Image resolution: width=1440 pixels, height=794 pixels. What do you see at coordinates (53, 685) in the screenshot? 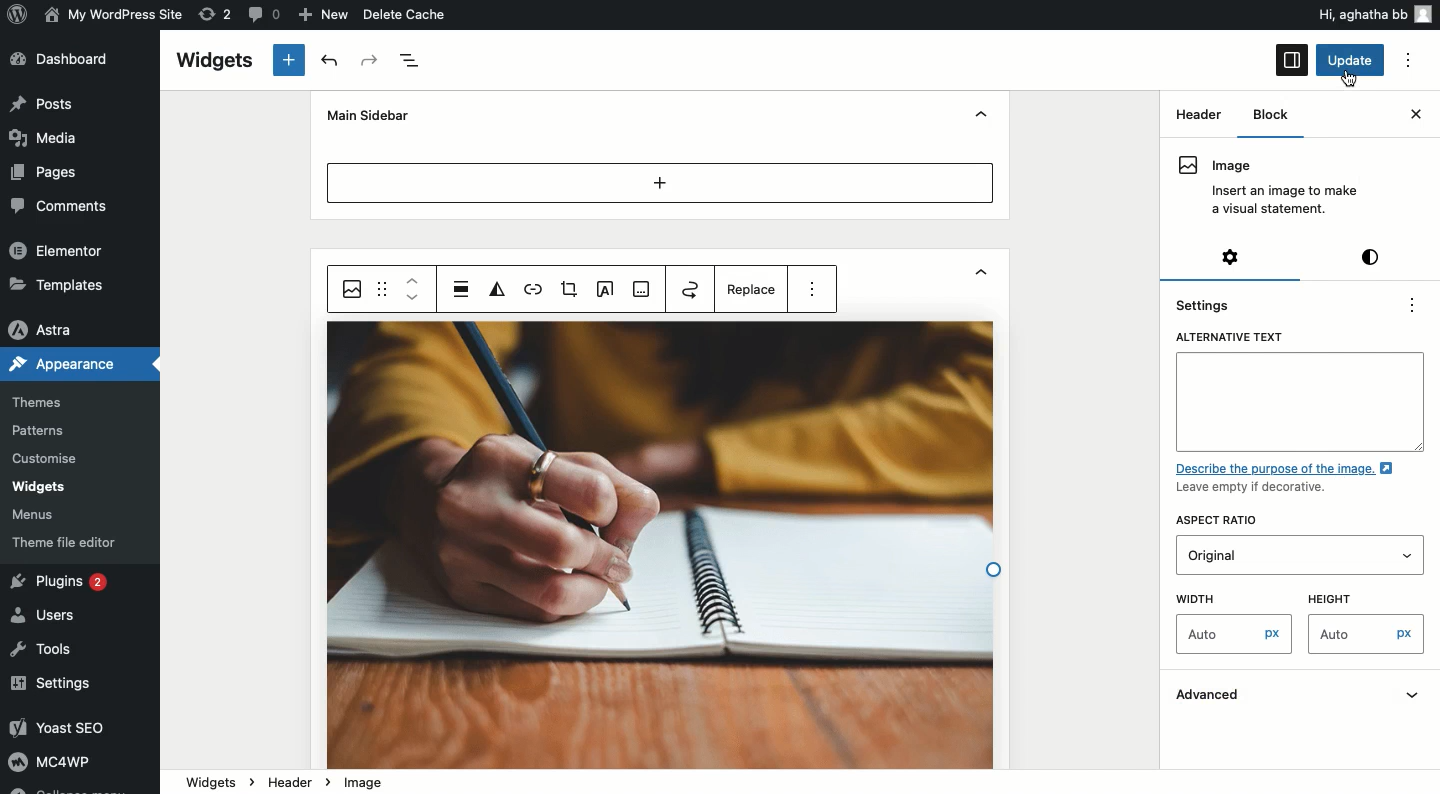
I see `Settings` at bounding box center [53, 685].